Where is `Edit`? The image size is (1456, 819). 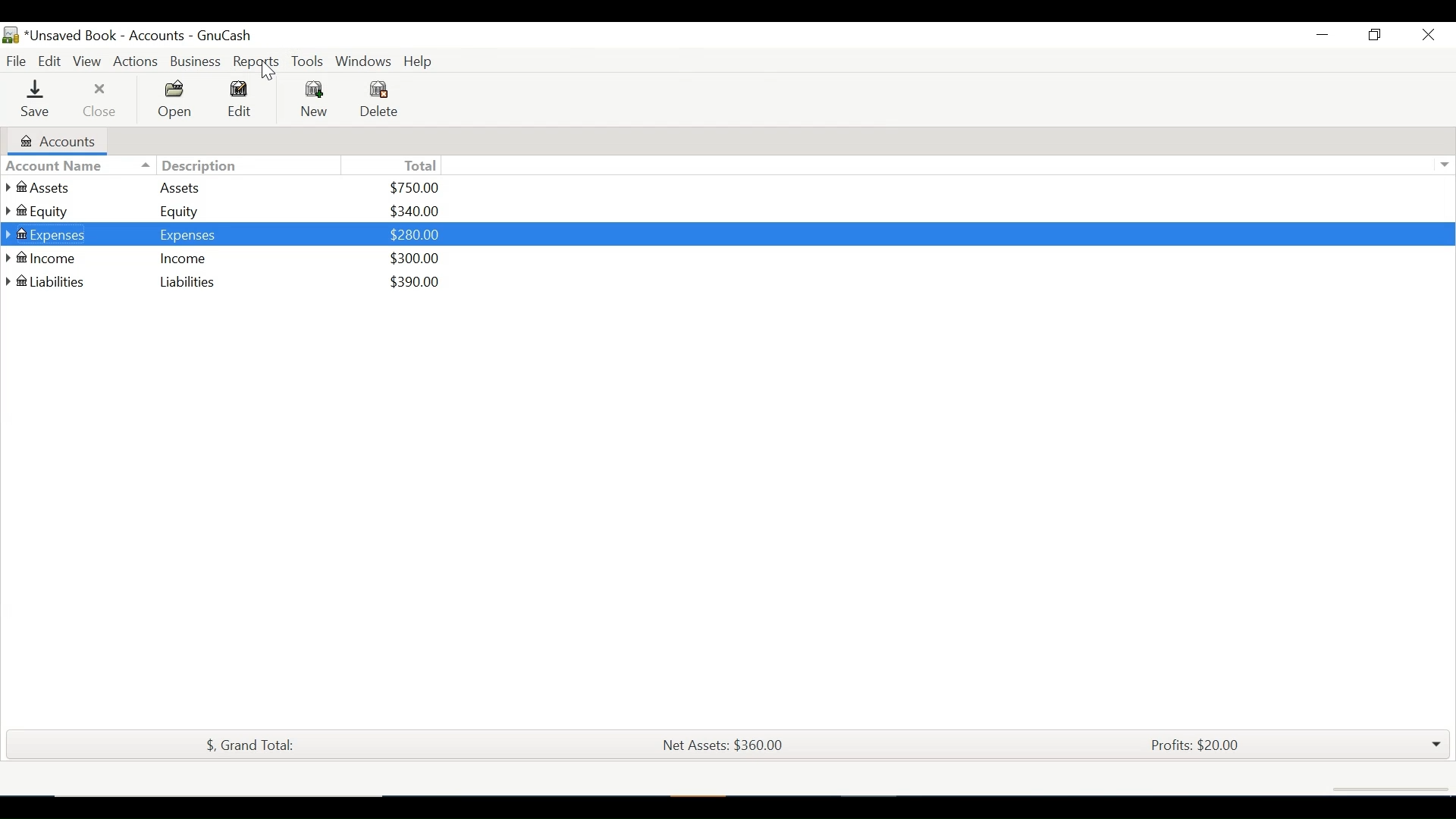 Edit is located at coordinates (49, 59).